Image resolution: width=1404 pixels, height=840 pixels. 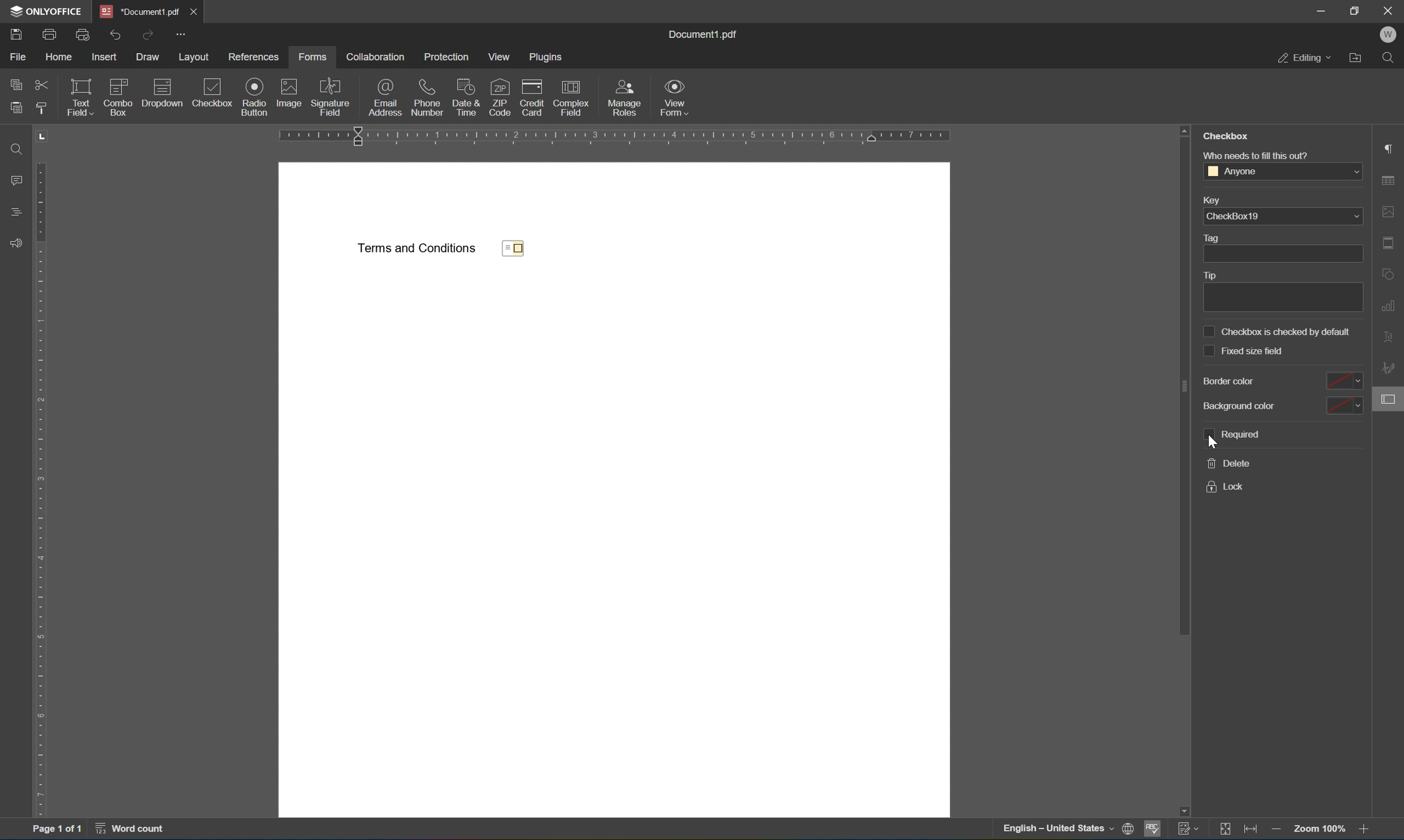 I want to click on references, so click(x=254, y=57).